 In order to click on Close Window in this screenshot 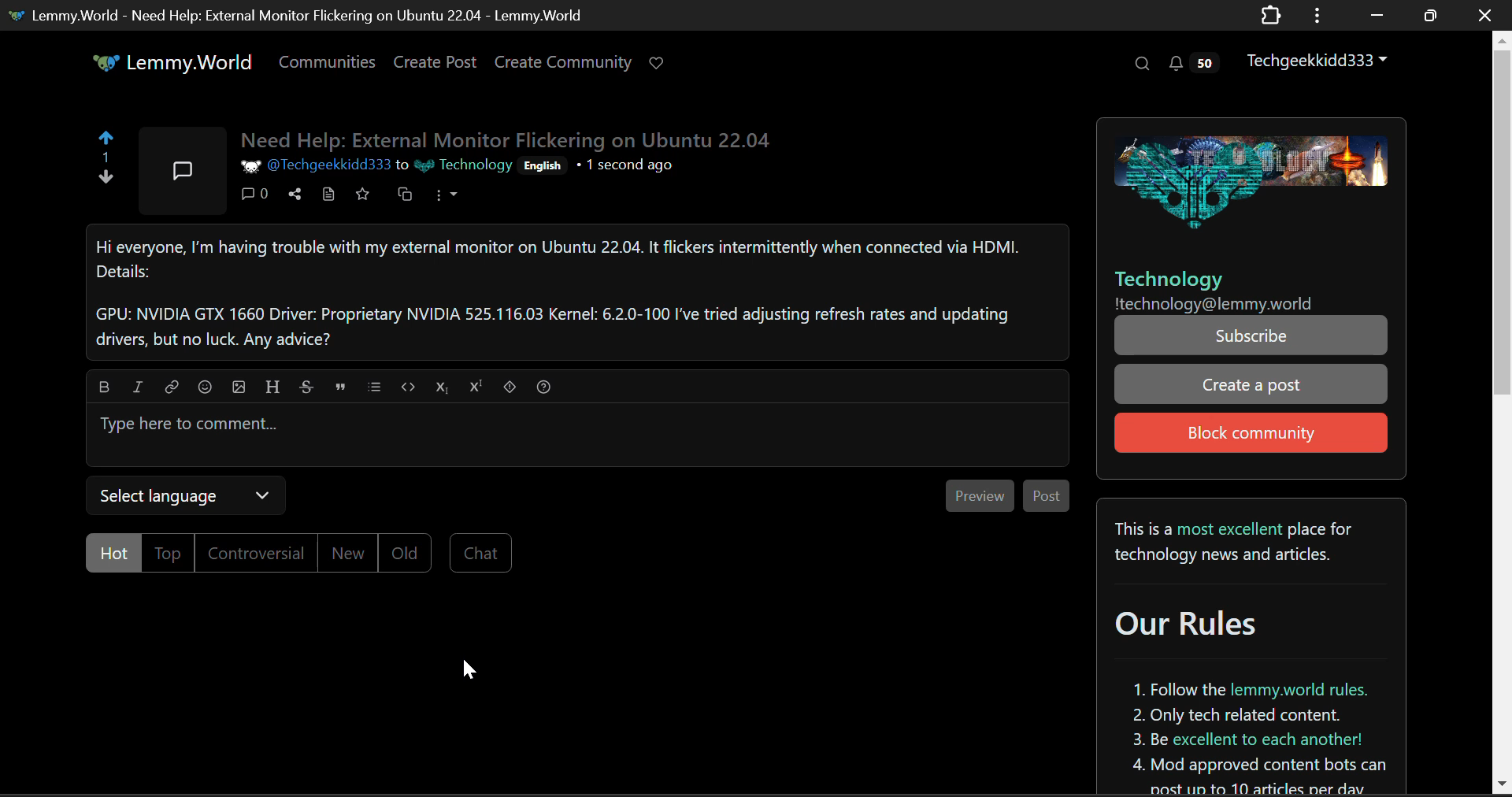, I will do `click(1487, 14)`.